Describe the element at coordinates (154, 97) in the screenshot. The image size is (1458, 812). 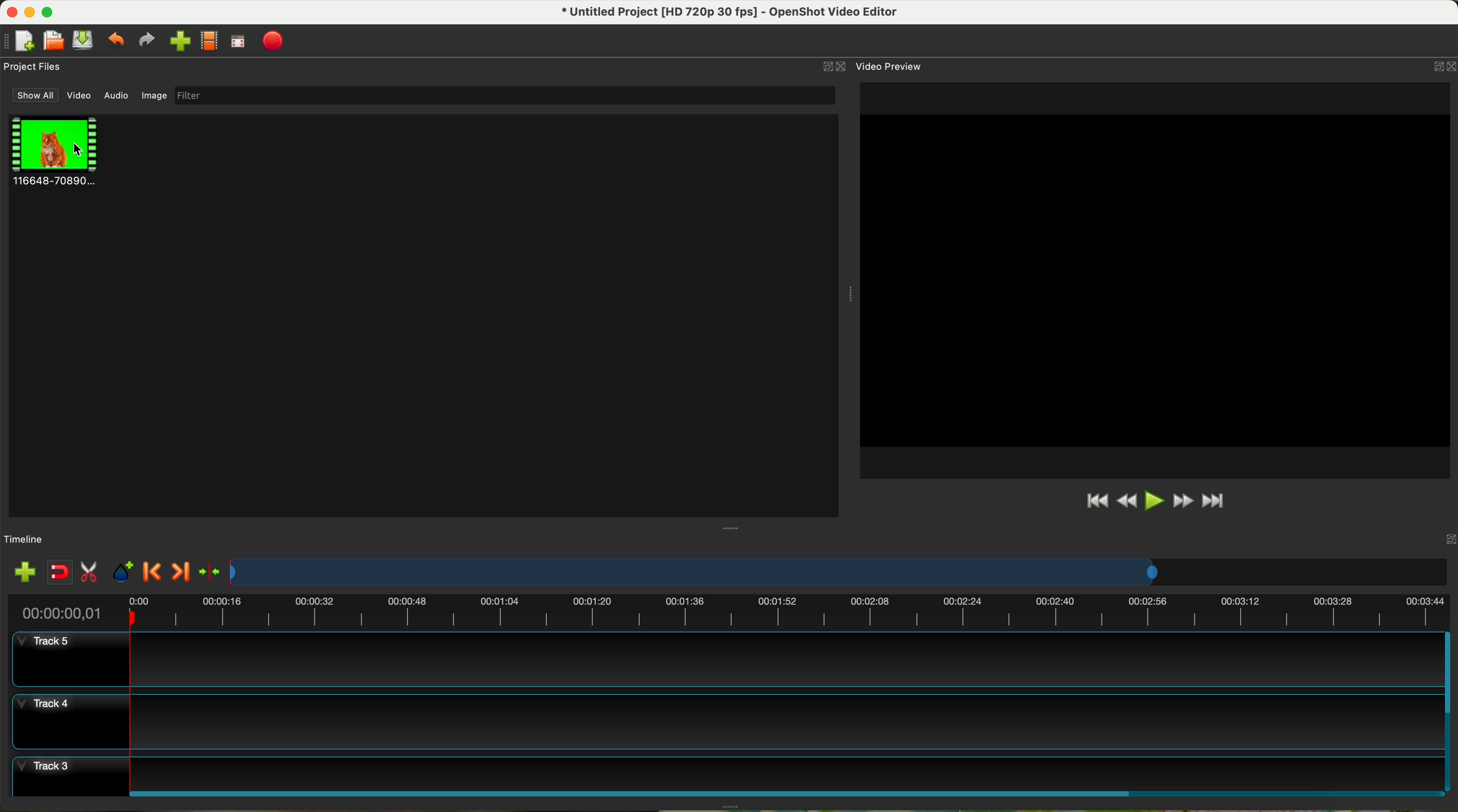
I see `image` at that location.